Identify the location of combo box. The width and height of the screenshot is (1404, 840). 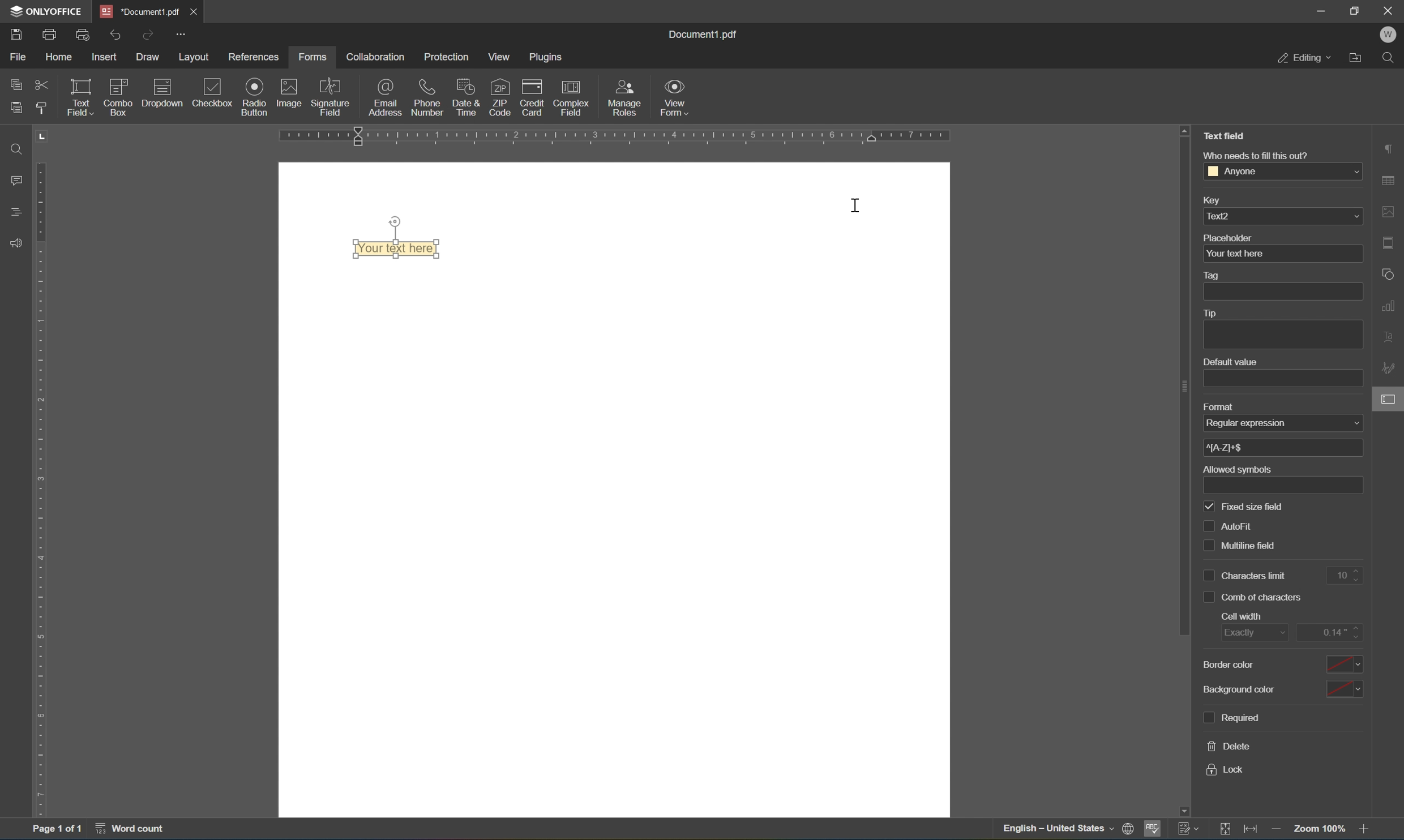
(118, 97).